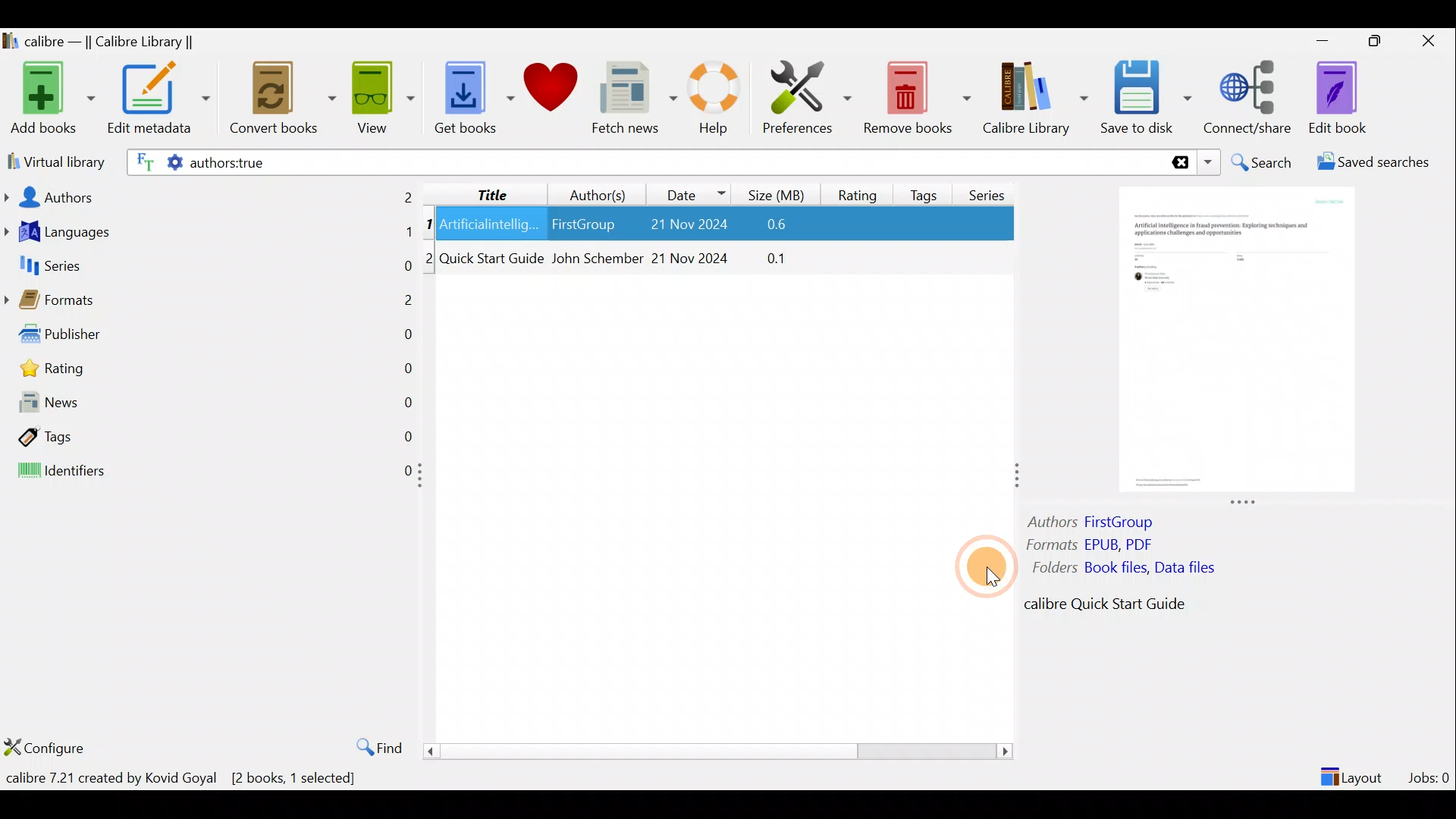 Image resolution: width=1456 pixels, height=819 pixels. Describe the element at coordinates (491, 259) in the screenshot. I see `Quick Start Guide` at that location.